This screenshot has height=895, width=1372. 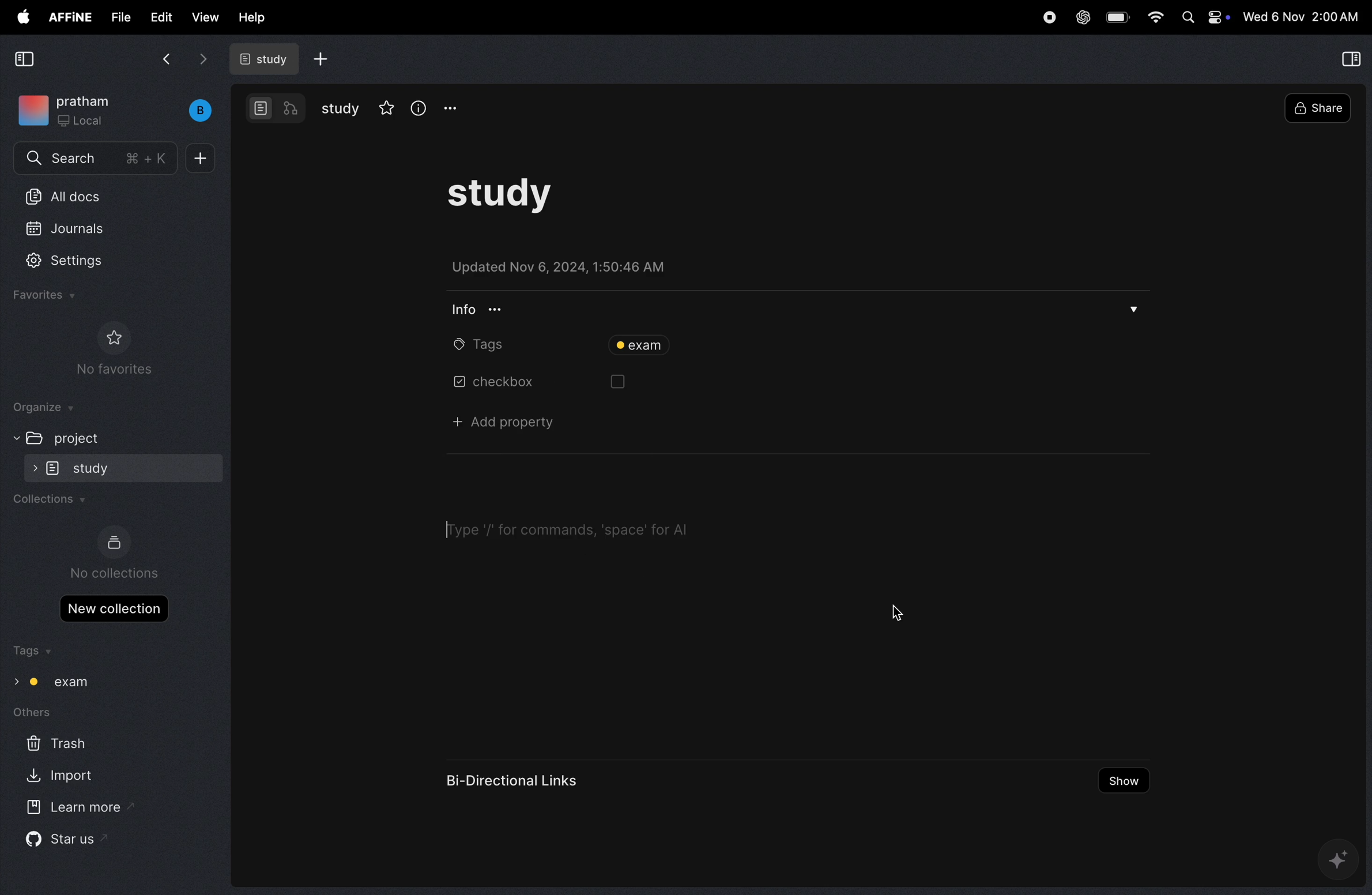 What do you see at coordinates (504, 383) in the screenshot?
I see `check box` at bounding box center [504, 383].